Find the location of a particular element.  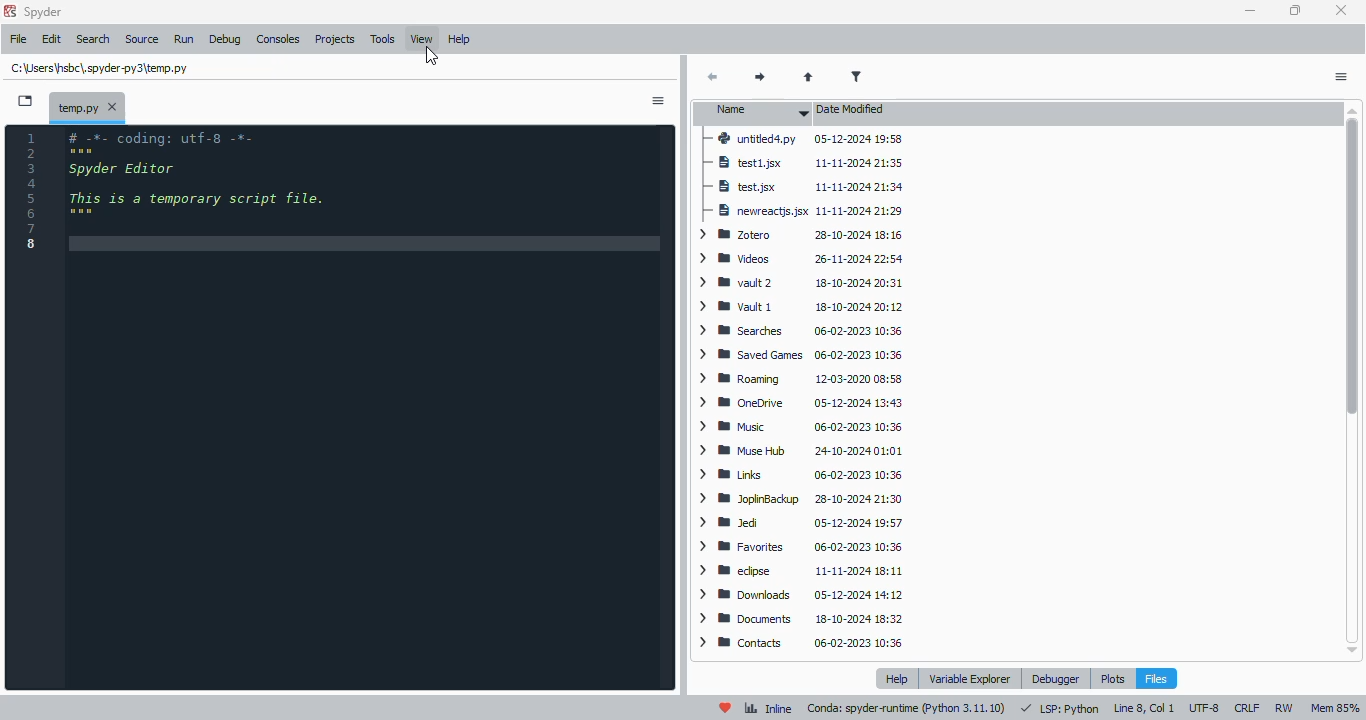

close is located at coordinates (1342, 9).